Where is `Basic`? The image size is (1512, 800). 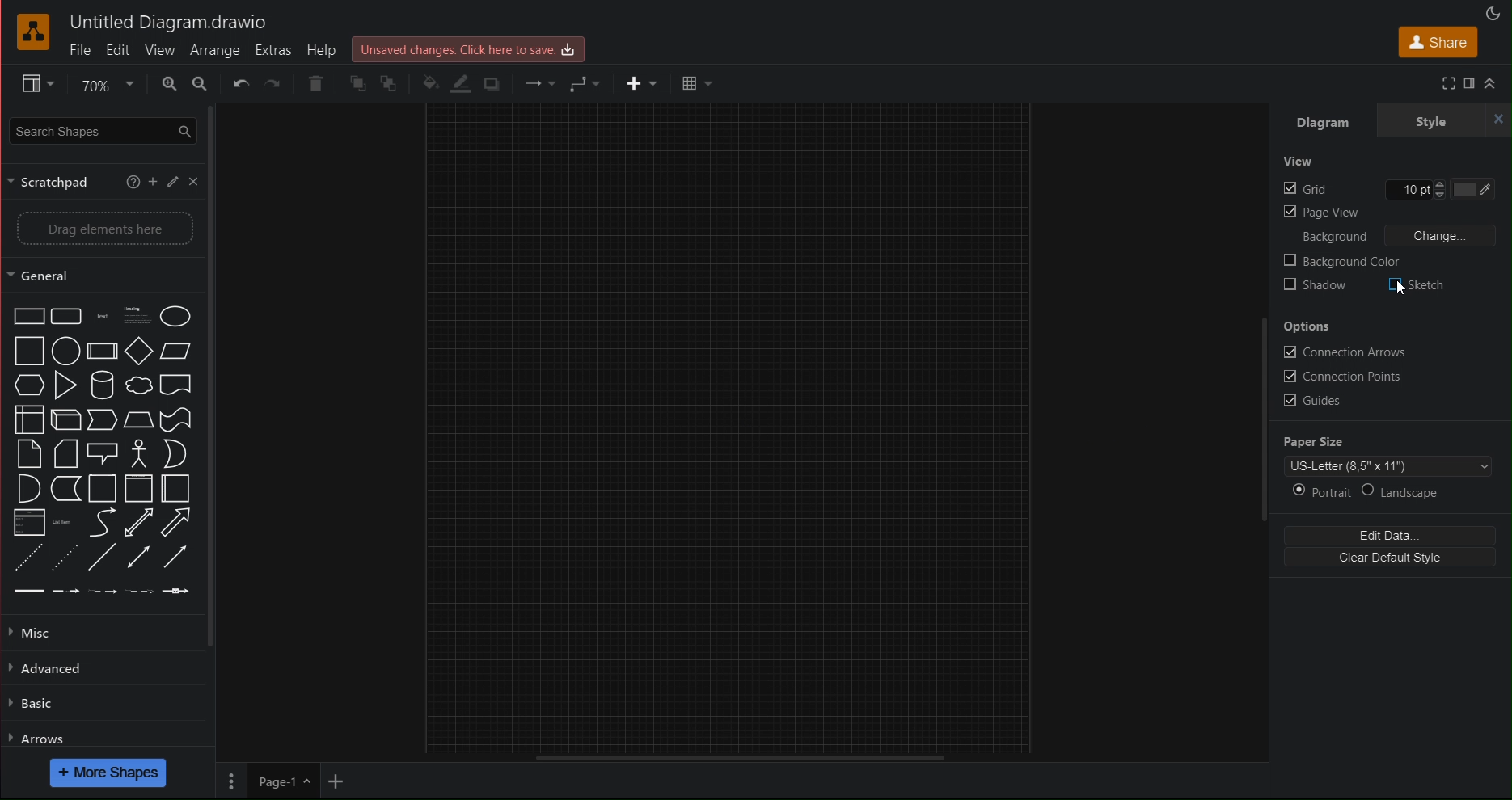 Basic is located at coordinates (95, 701).